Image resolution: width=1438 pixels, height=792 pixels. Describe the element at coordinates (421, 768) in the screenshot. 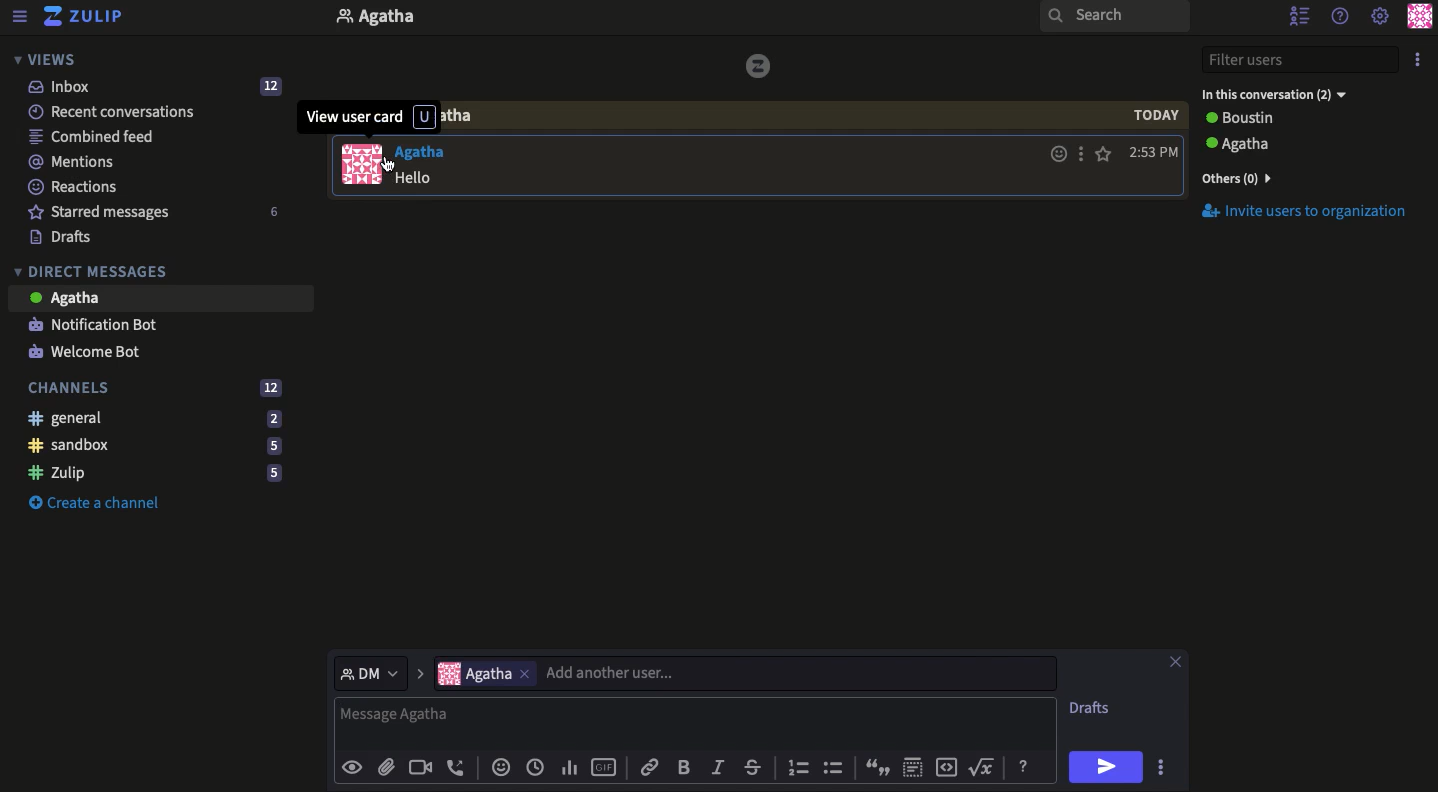

I see `Video` at that location.